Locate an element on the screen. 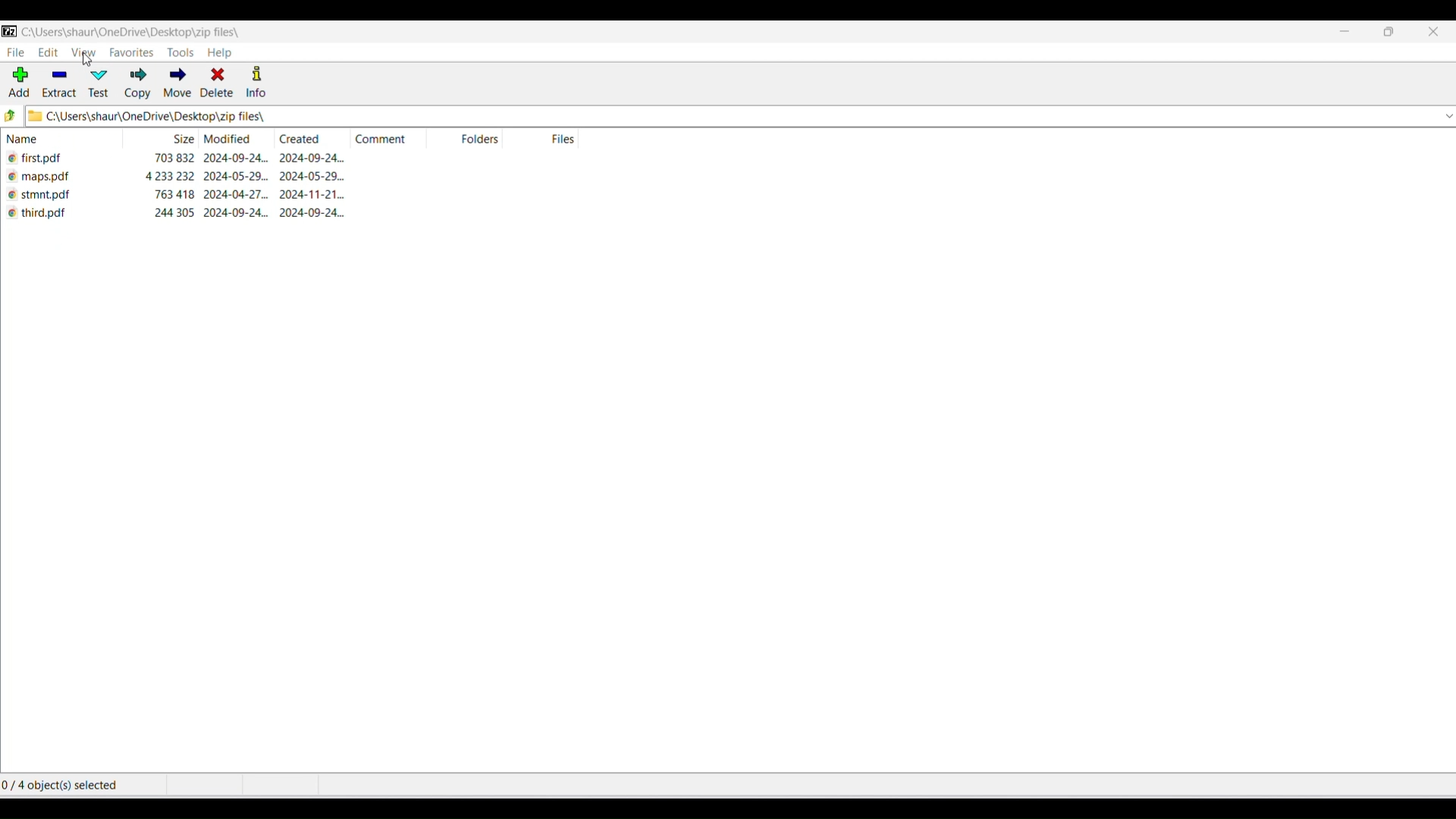 The width and height of the screenshot is (1456, 819). creation date is located at coordinates (300, 140).